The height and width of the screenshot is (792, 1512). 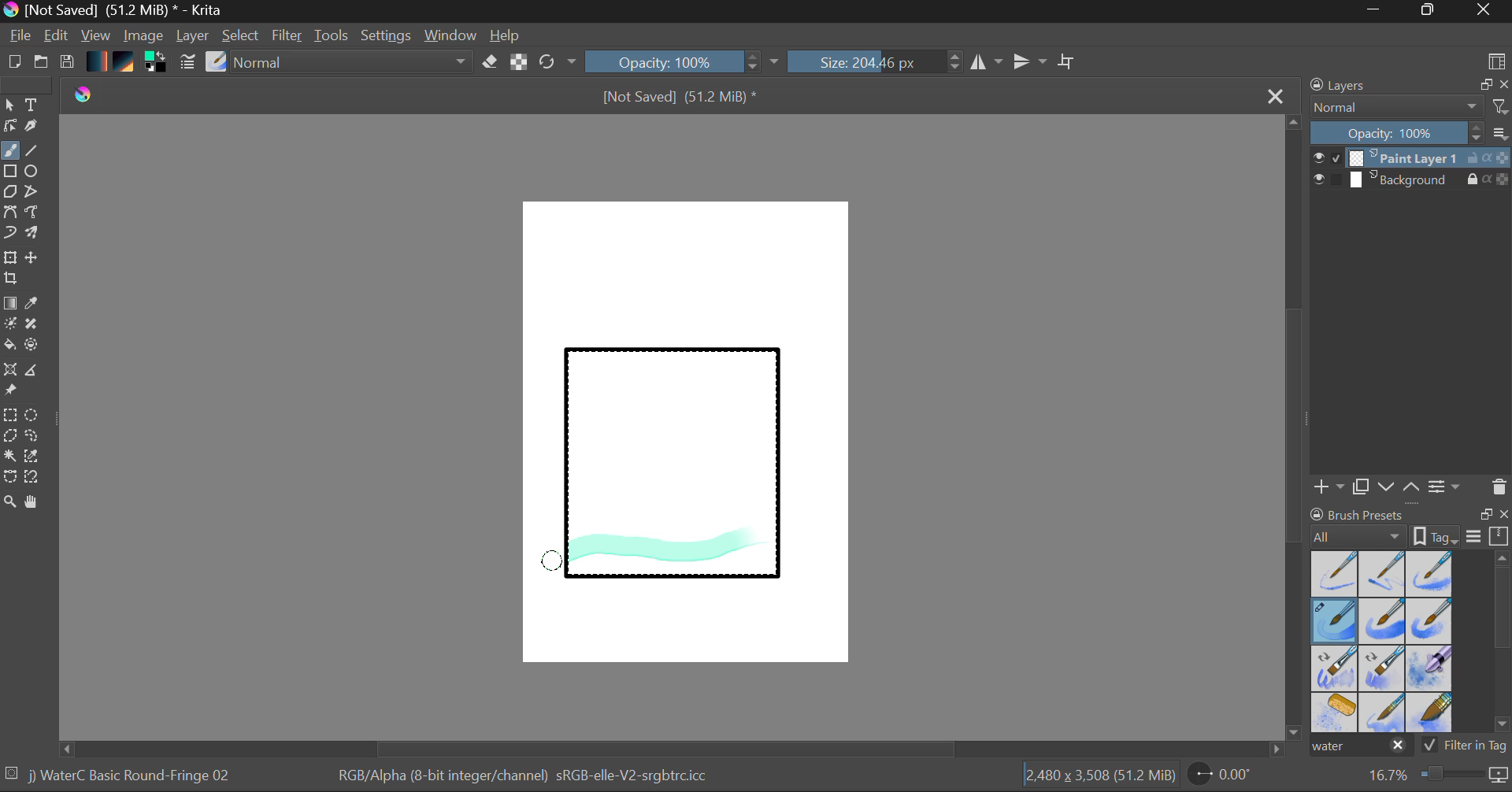 What do you see at coordinates (33, 193) in the screenshot?
I see `Polyline` at bounding box center [33, 193].